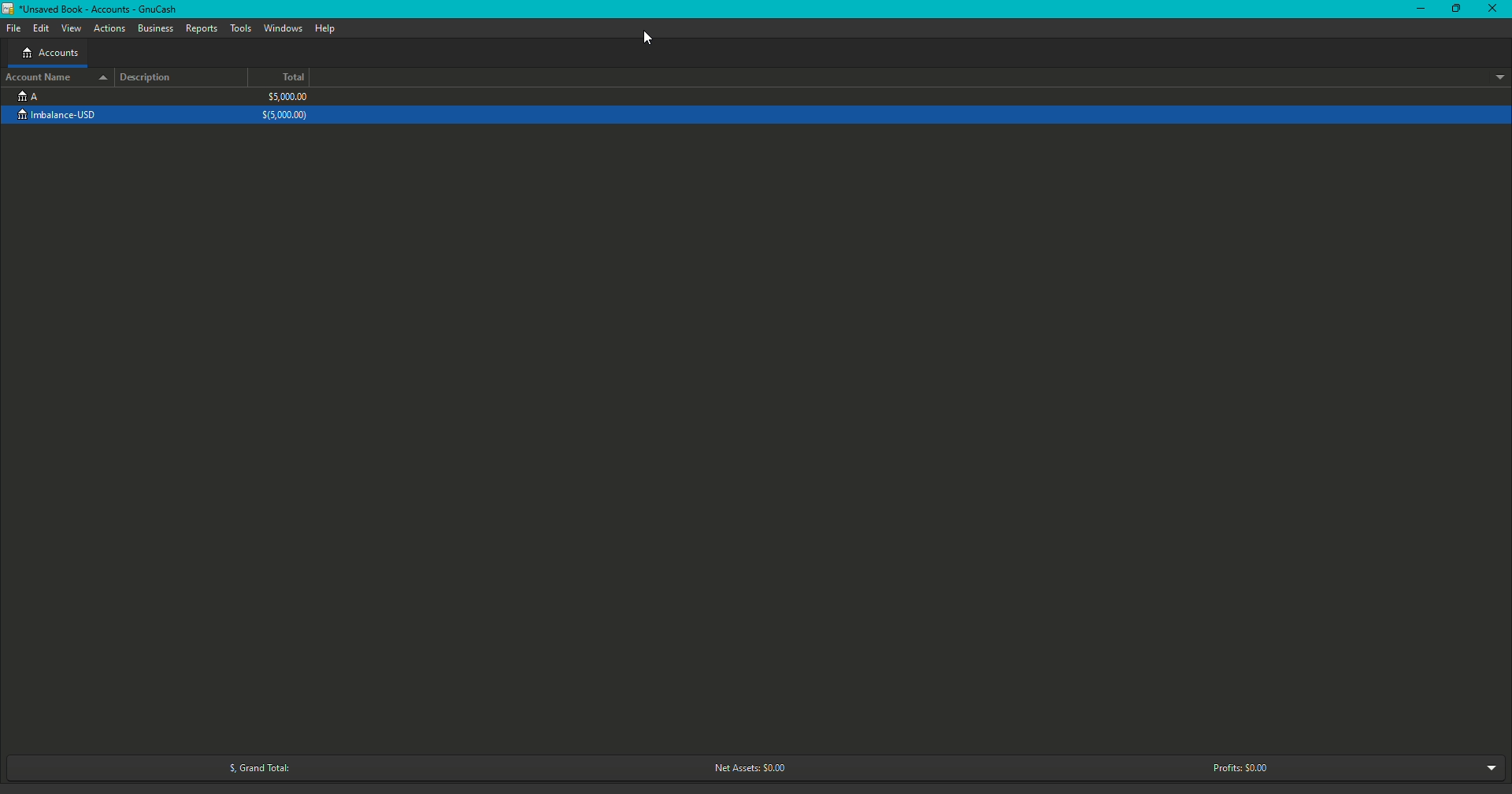 The height and width of the screenshot is (794, 1512). Describe the element at coordinates (93, 11) in the screenshot. I see `GnuCash` at that location.